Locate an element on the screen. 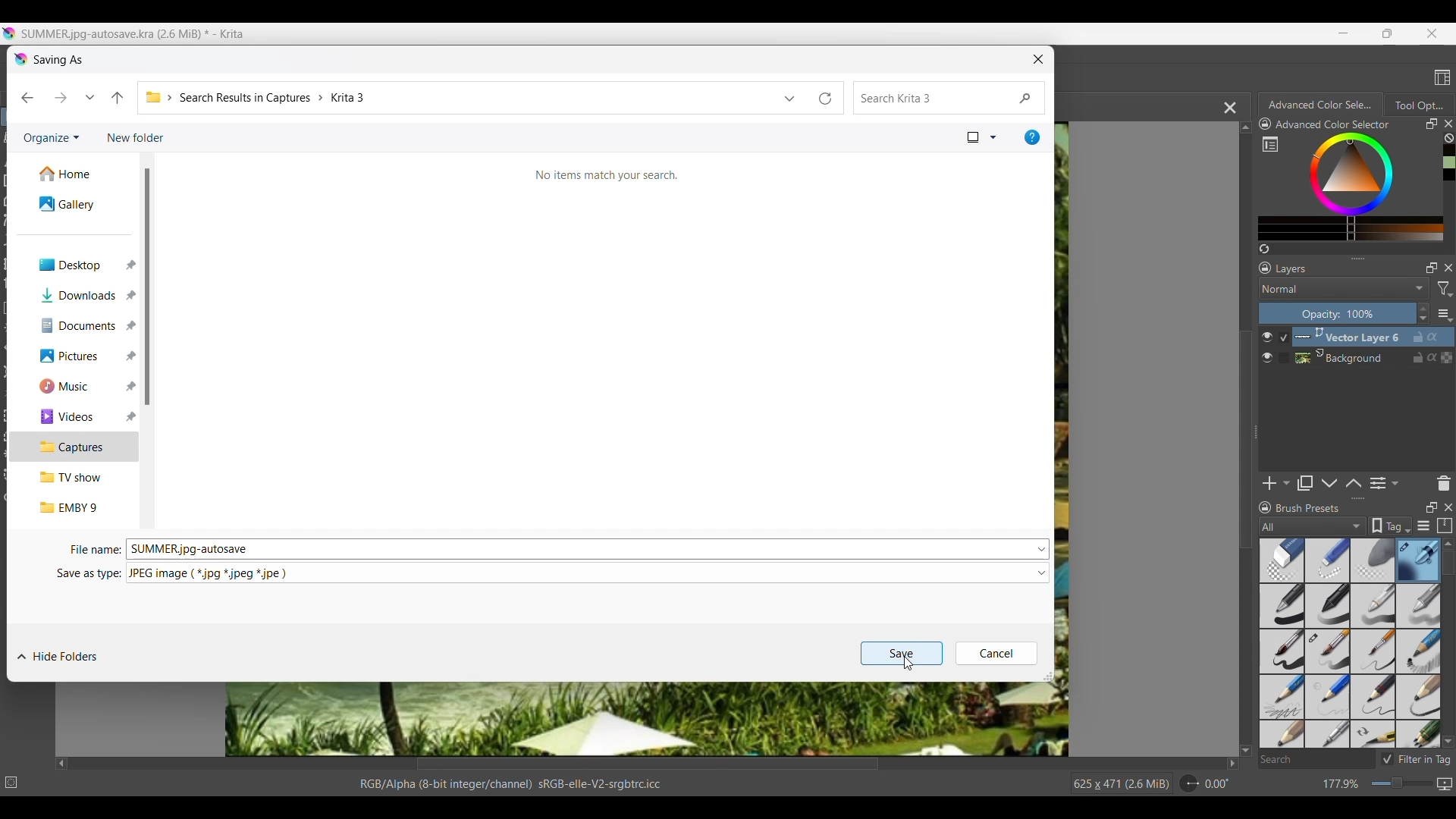  Filter options is located at coordinates (1444, 289).